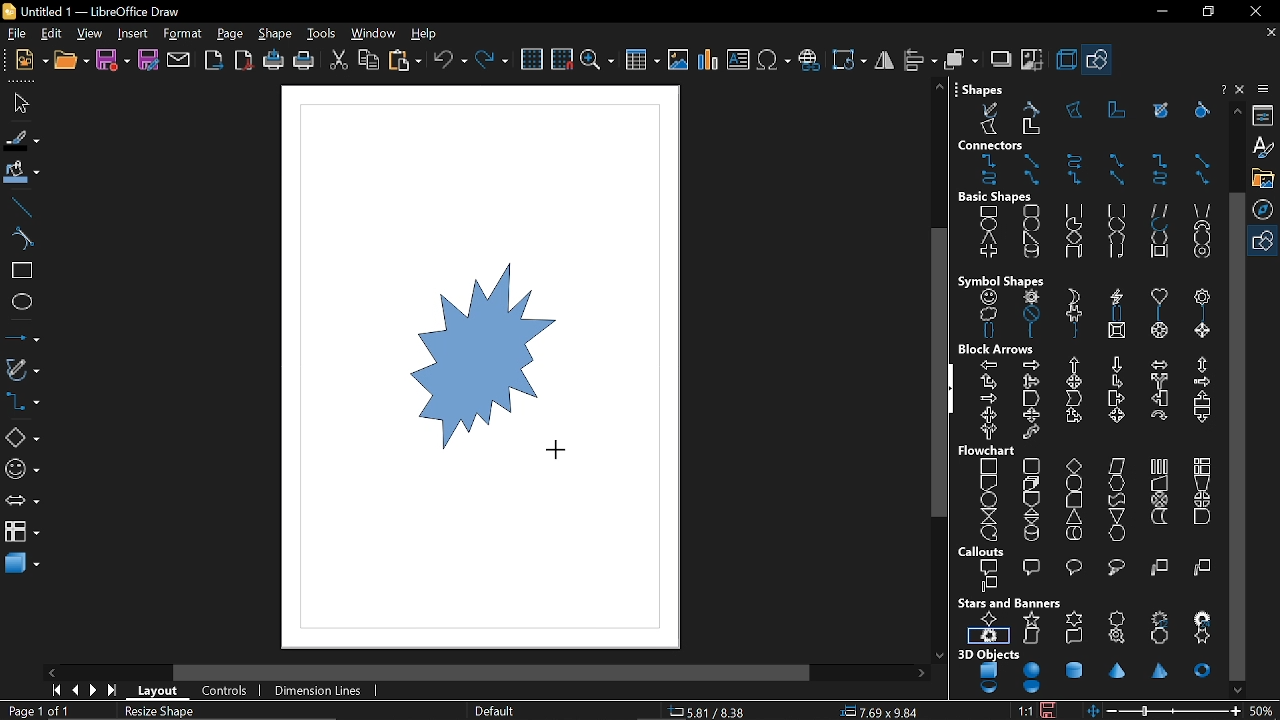 The height and width of the screenshot is (720, 1280). Describe the element at coordinates (1239, 436) in the screenshot. I see `Vertical scrollbar for shapes` at that location.